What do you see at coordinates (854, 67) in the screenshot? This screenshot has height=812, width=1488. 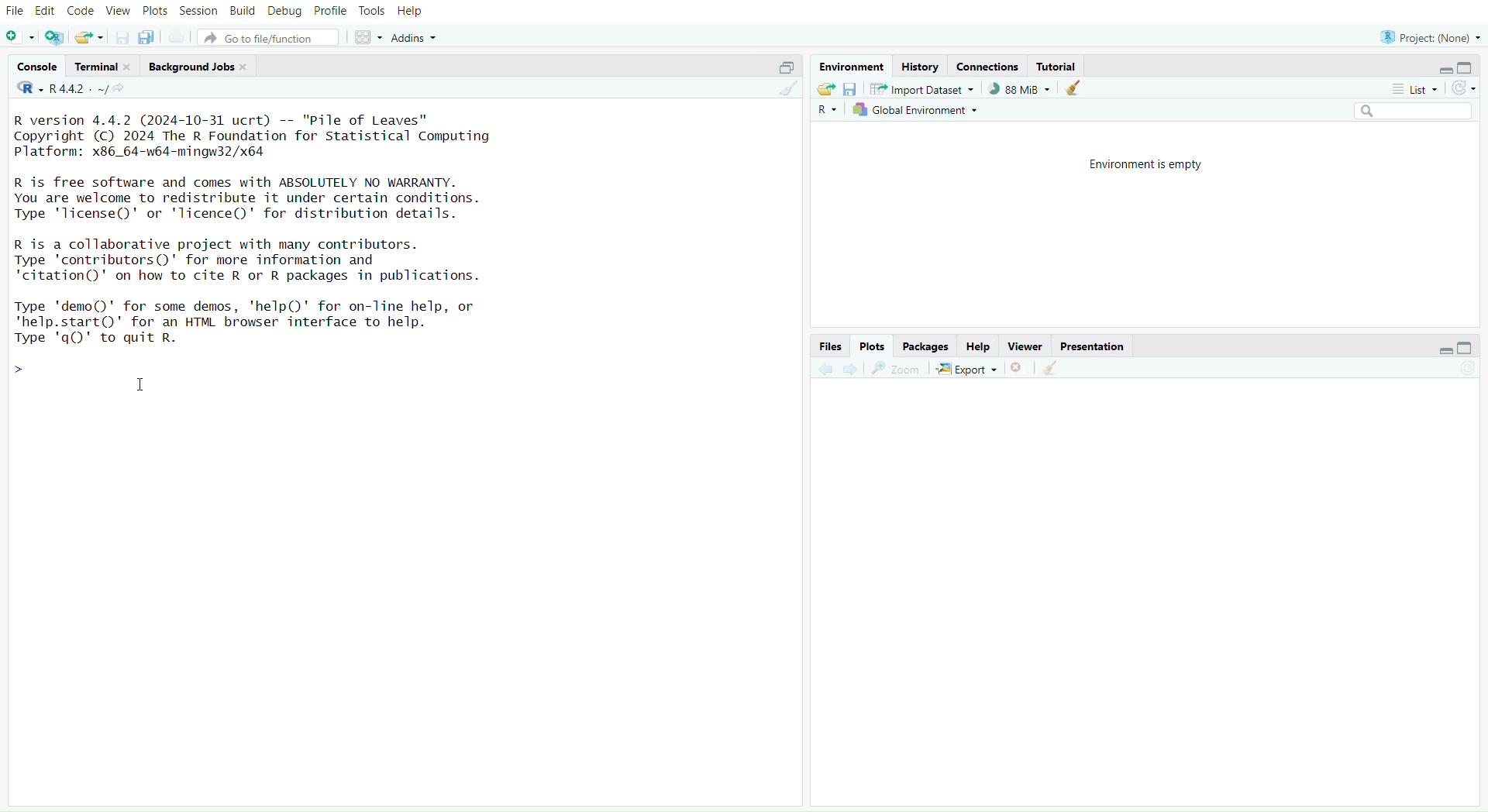 I see `environment` at bounding box center [854, 67].